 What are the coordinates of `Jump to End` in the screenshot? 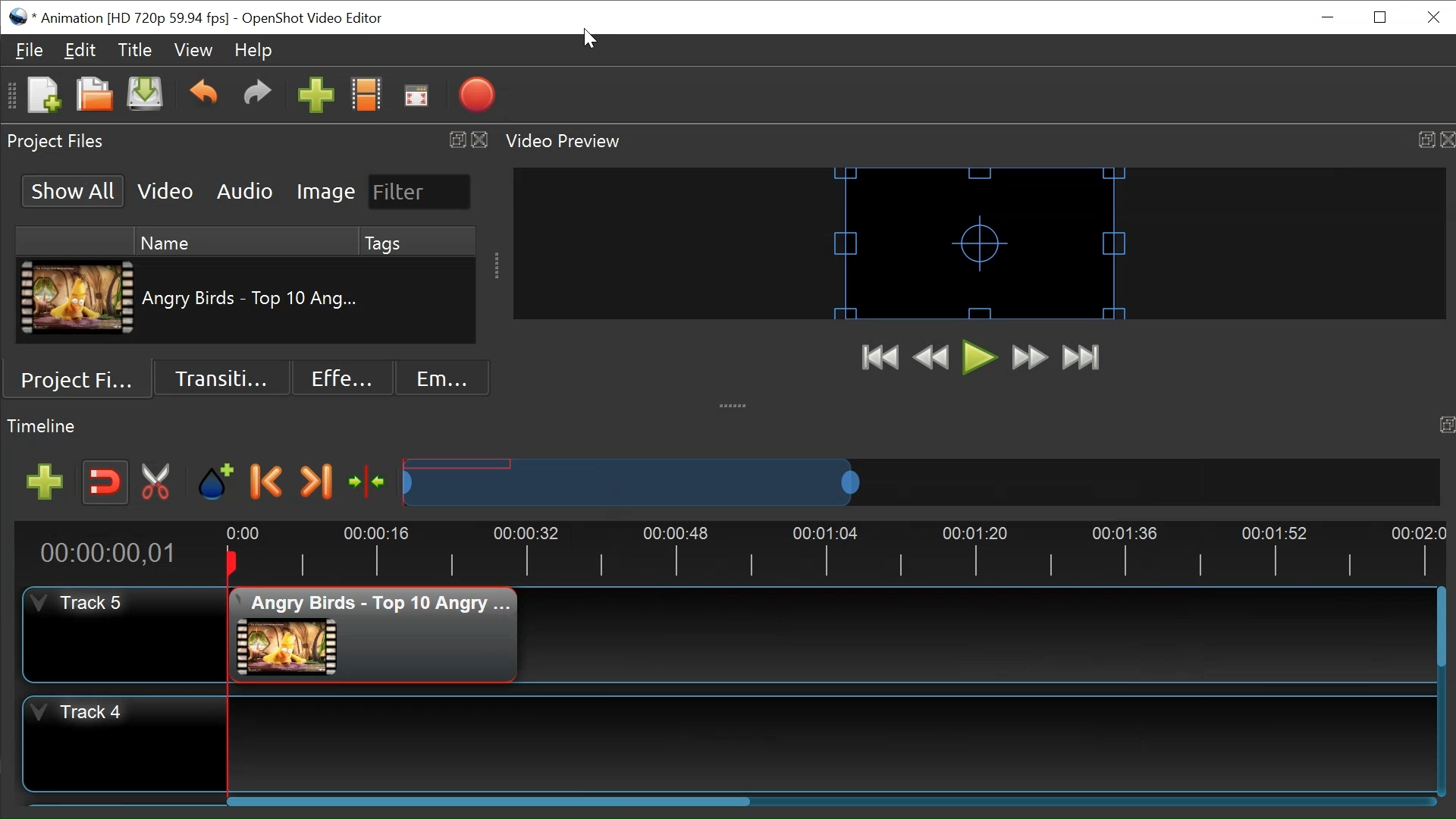 It's located at (1085, 358).